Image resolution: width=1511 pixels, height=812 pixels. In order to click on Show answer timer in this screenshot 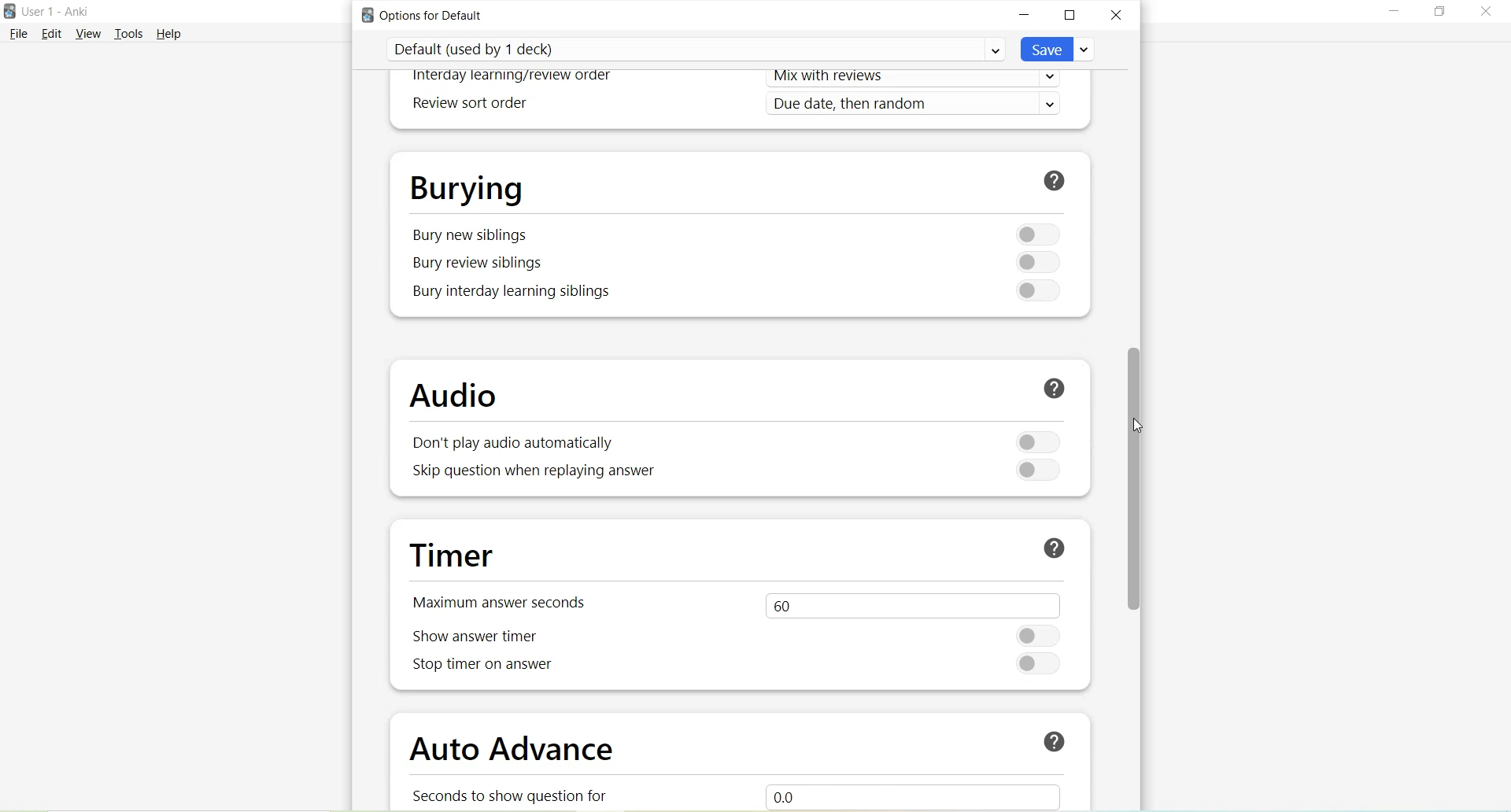, I will do `click(482, 637)`.